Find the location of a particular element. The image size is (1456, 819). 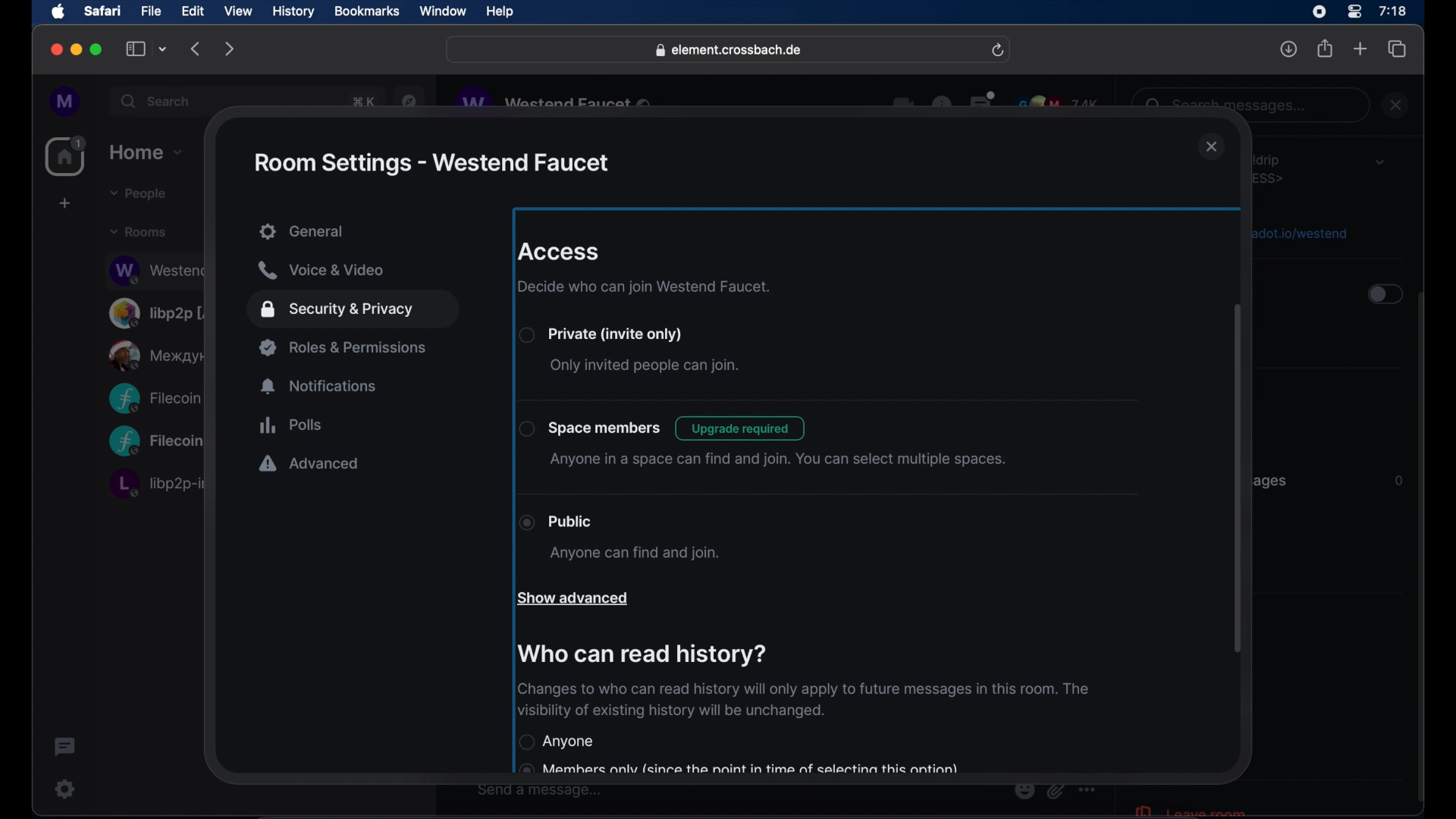

obscure is located at coordinates (361, 102).